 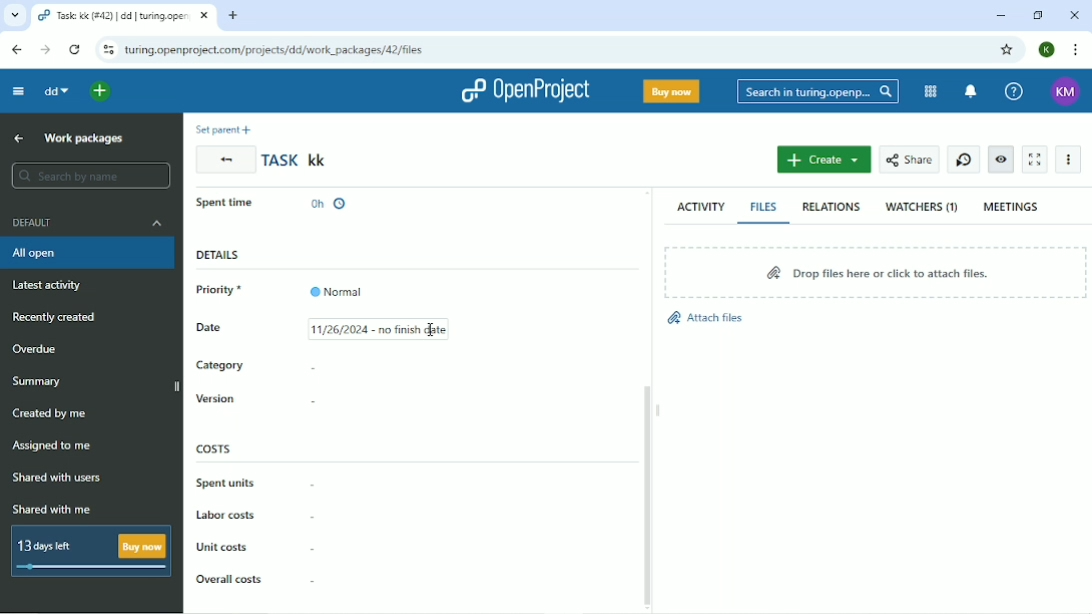 What do you see at coordinates (1076, 15) in the screenshot?
I see `Close` at bounding box center [1076, 15].